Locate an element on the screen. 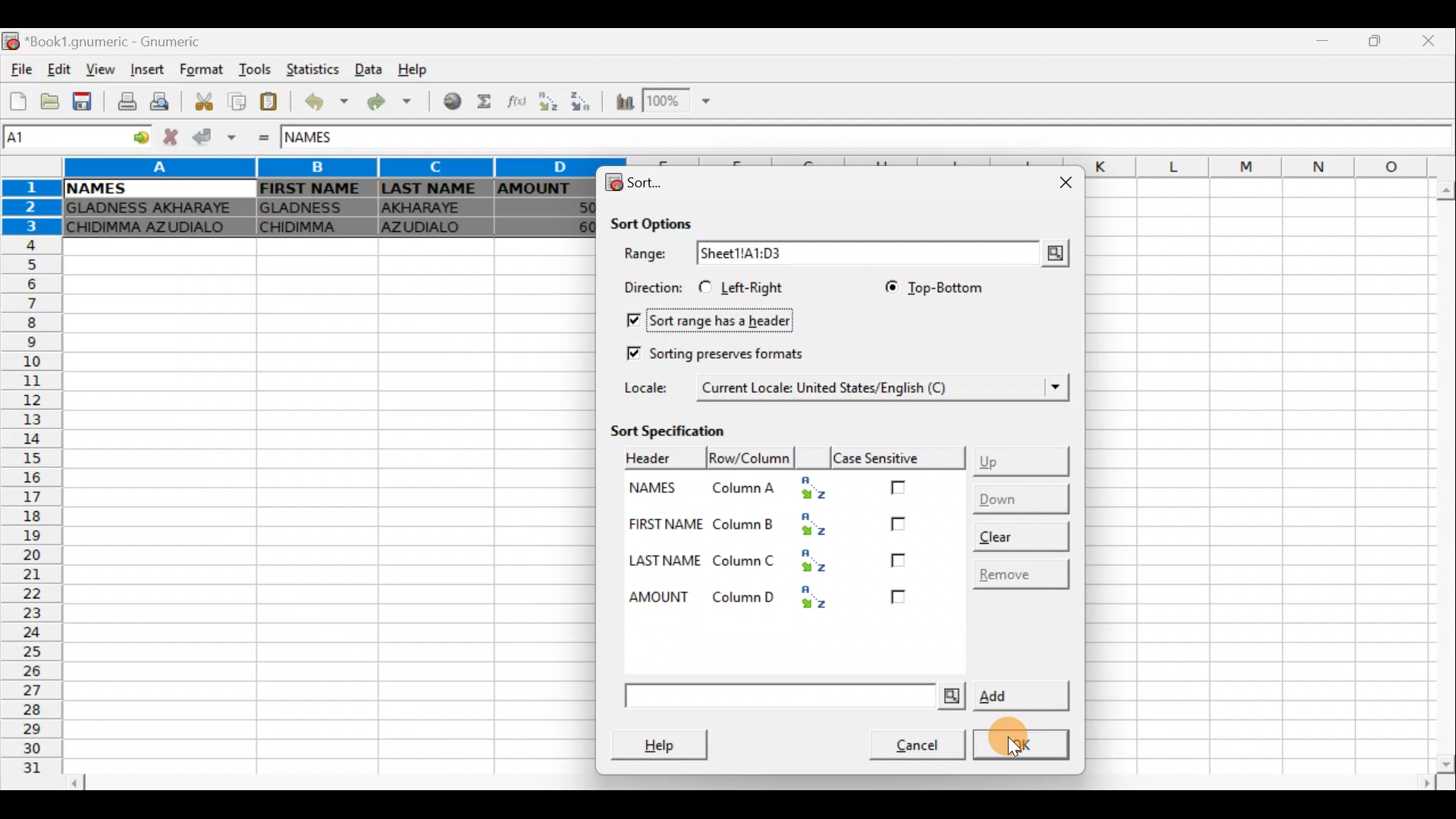 Image resolution: width=1456 pixels, height=819 pixels. Down is located at coordinates (1018, 497).